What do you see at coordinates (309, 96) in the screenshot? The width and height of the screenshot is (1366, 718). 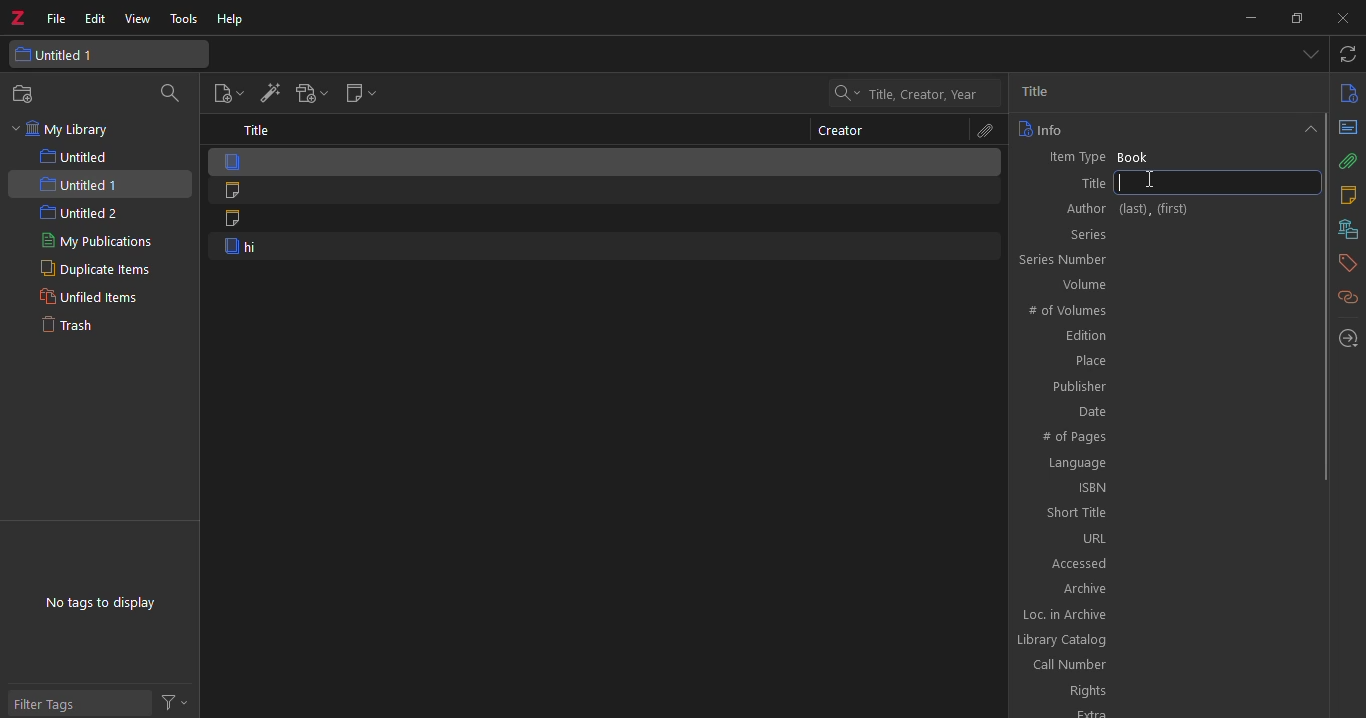 I see `add attach` at bounding box center [309, 96].